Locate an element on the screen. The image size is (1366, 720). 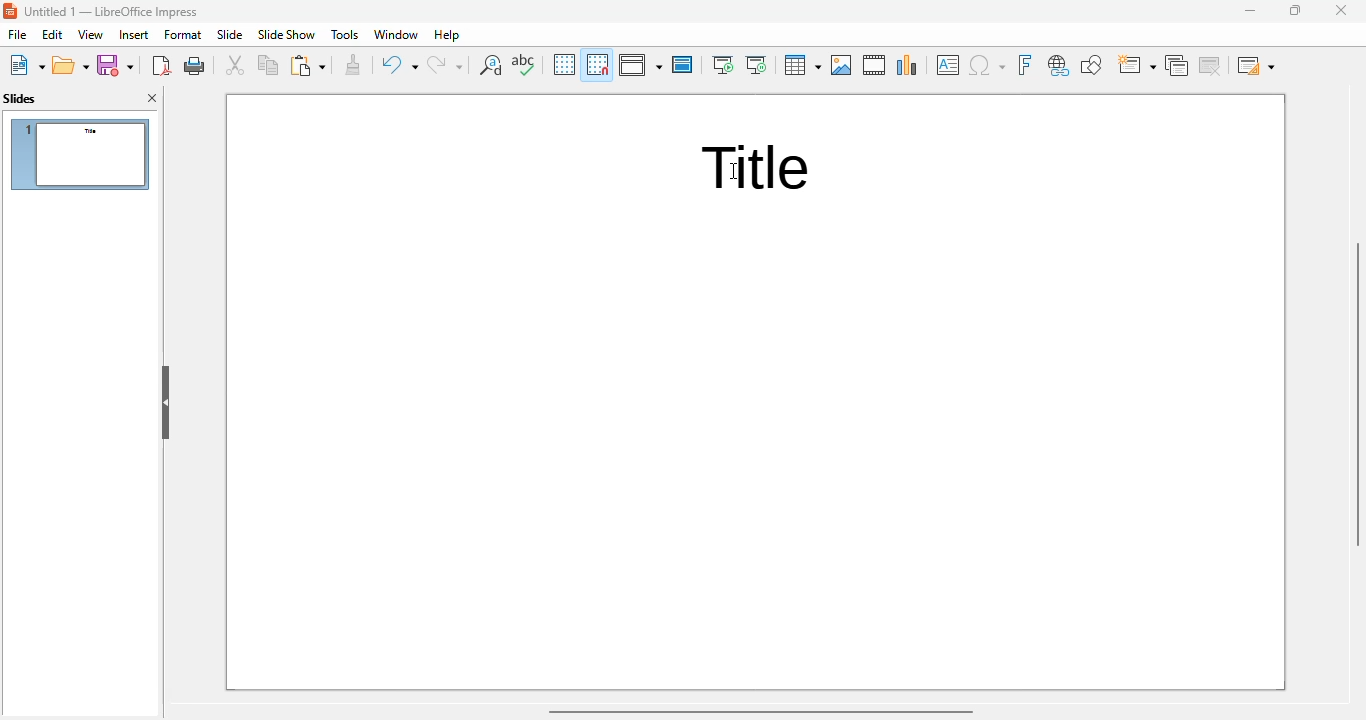
insert audio or video is located at coordinates (874, 65).